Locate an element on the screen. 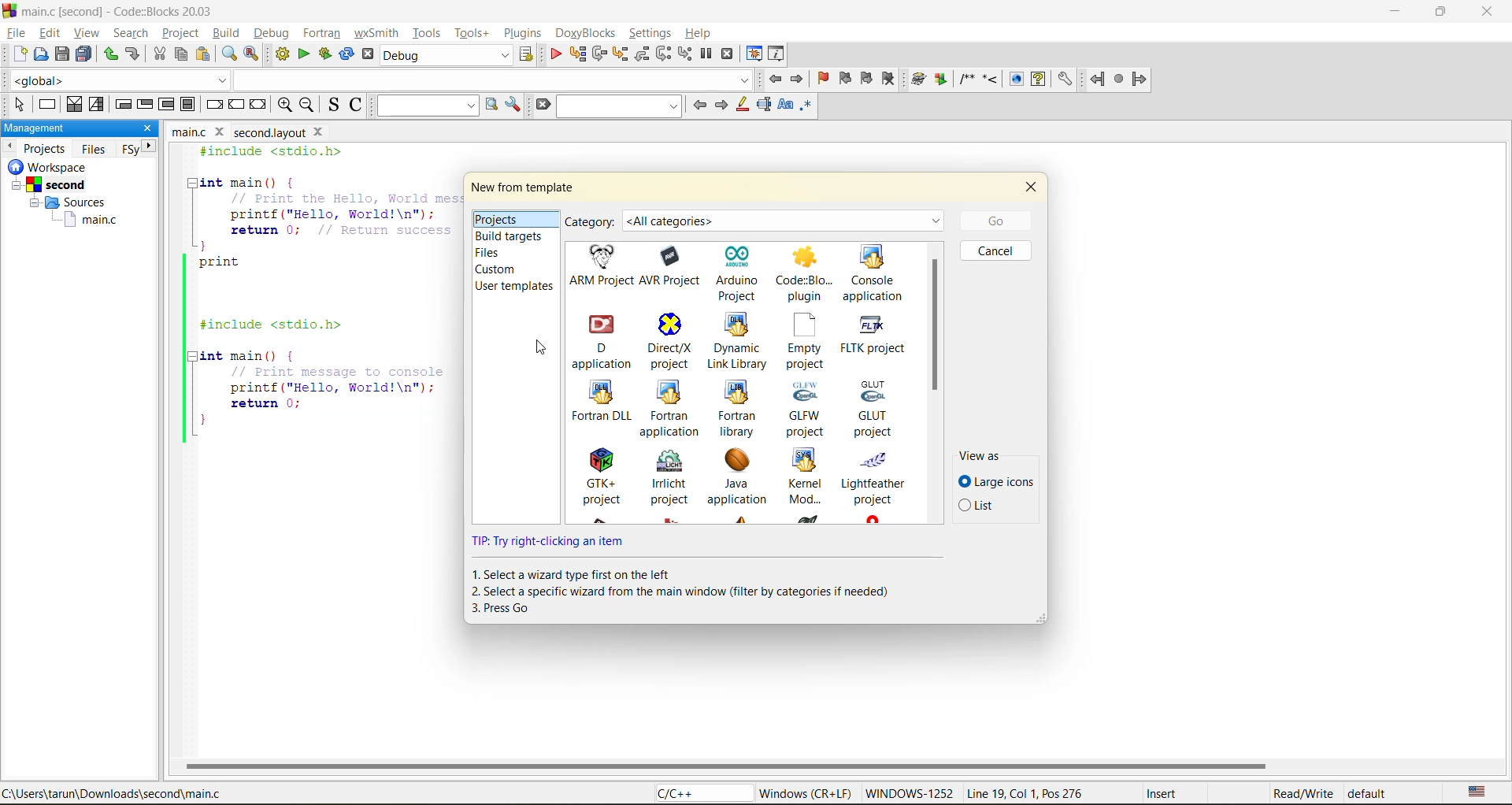 This screenshot has height=805, width=1512. zoom out is located at coordinates (307, 106).